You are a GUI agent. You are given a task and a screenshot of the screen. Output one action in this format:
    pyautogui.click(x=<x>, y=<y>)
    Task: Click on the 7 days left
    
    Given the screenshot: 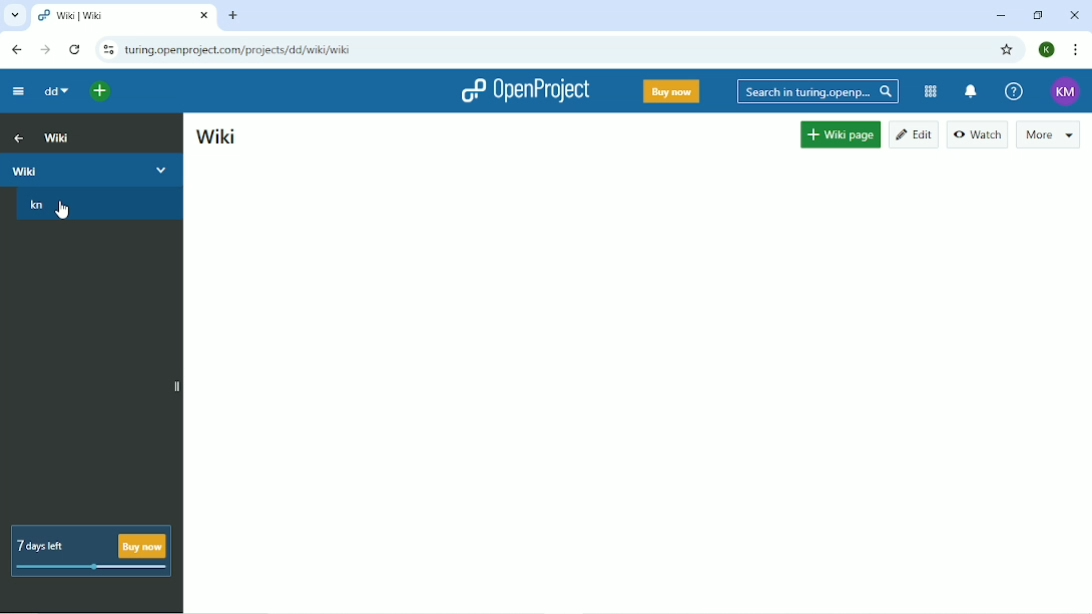 What is the action you would take?
    pyautogui.click(x=61, y=540)
    